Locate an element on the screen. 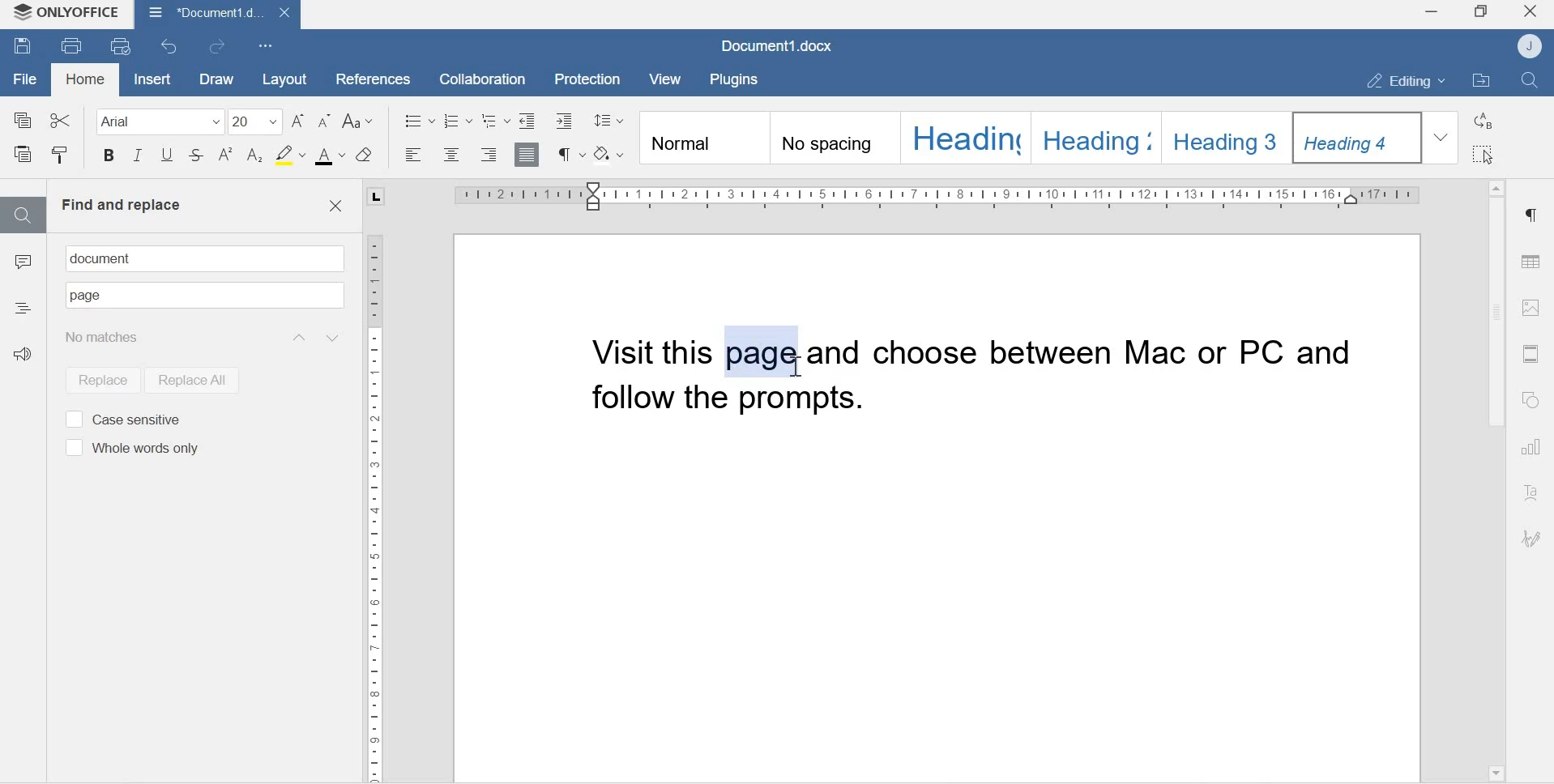  Shapes is located at coordinates (1534, 401).